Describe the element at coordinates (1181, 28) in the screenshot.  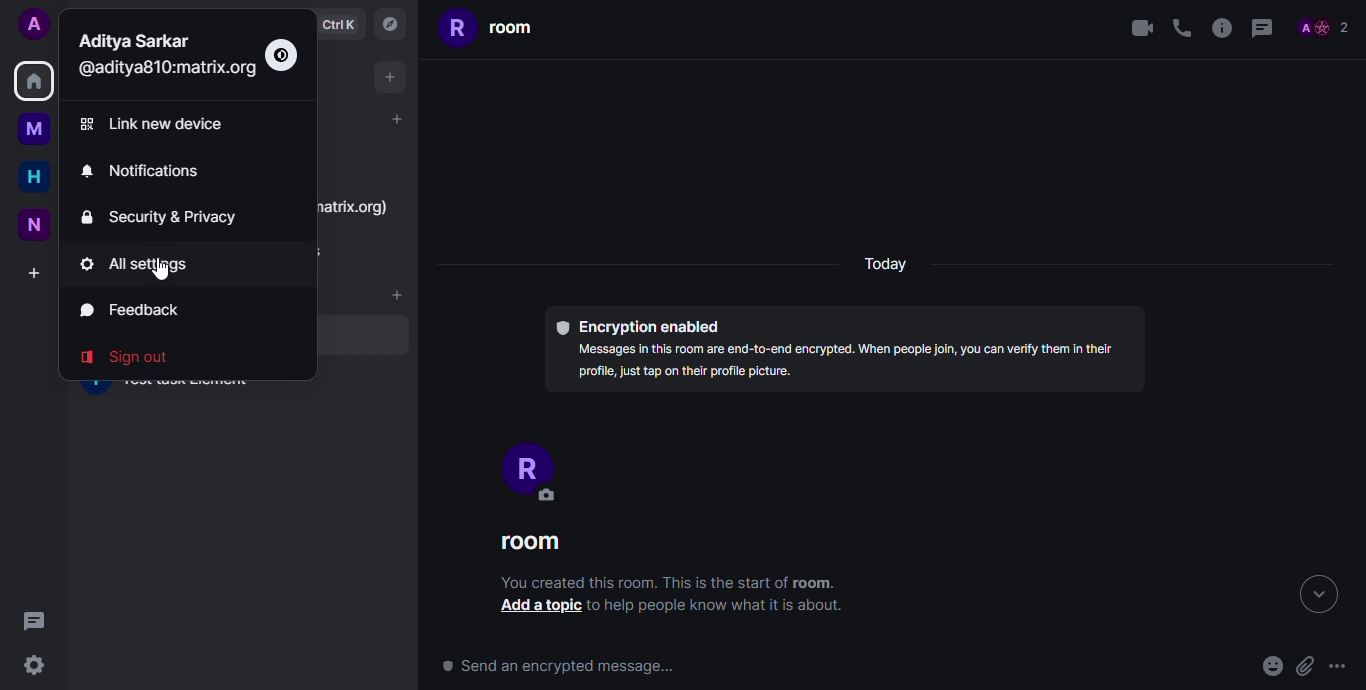
I see `voice call` at that location.